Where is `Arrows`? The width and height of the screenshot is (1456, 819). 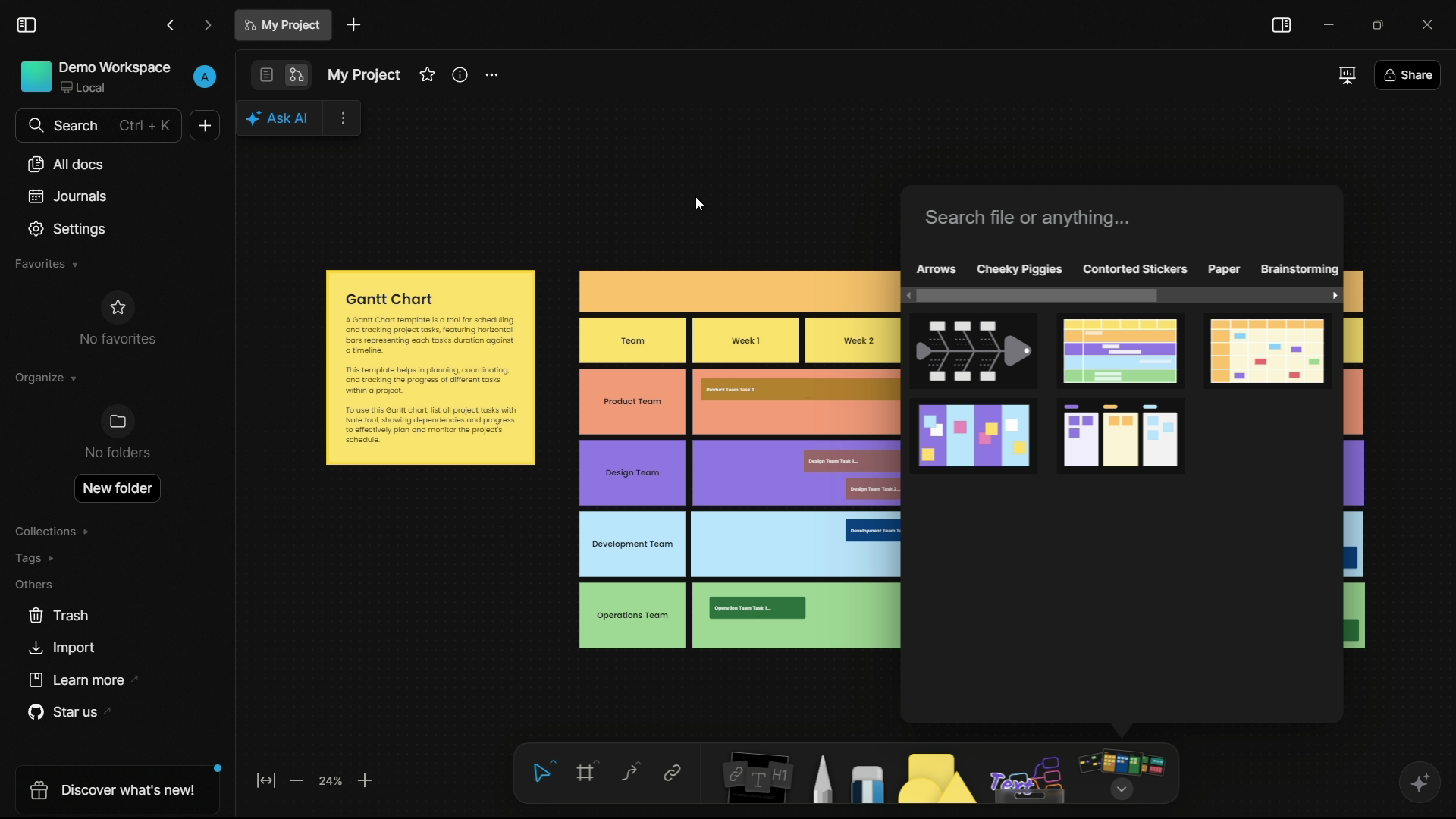
Arrows is located at coordinates (937, 270).